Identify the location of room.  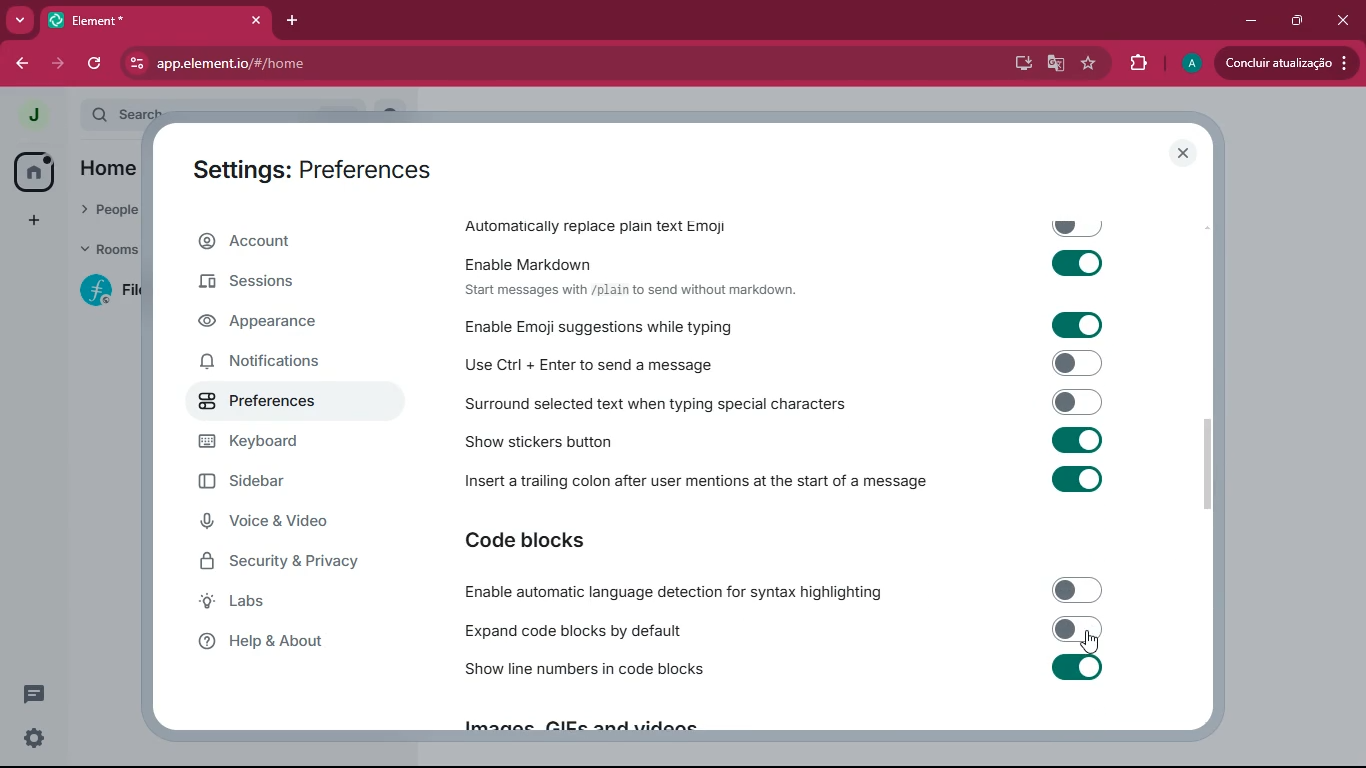
(102, 291).